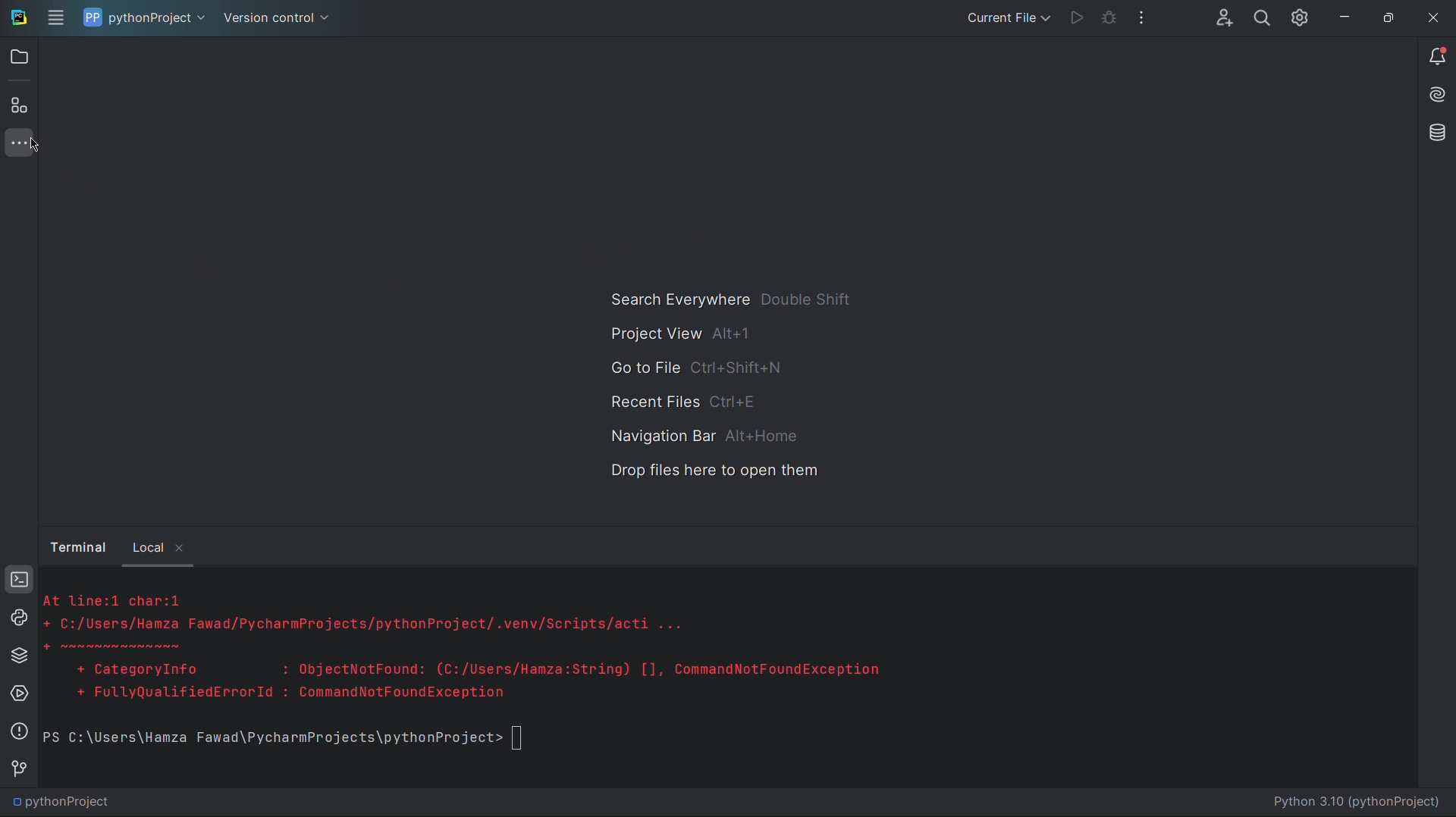  I want to click on More, so click(18, 143).